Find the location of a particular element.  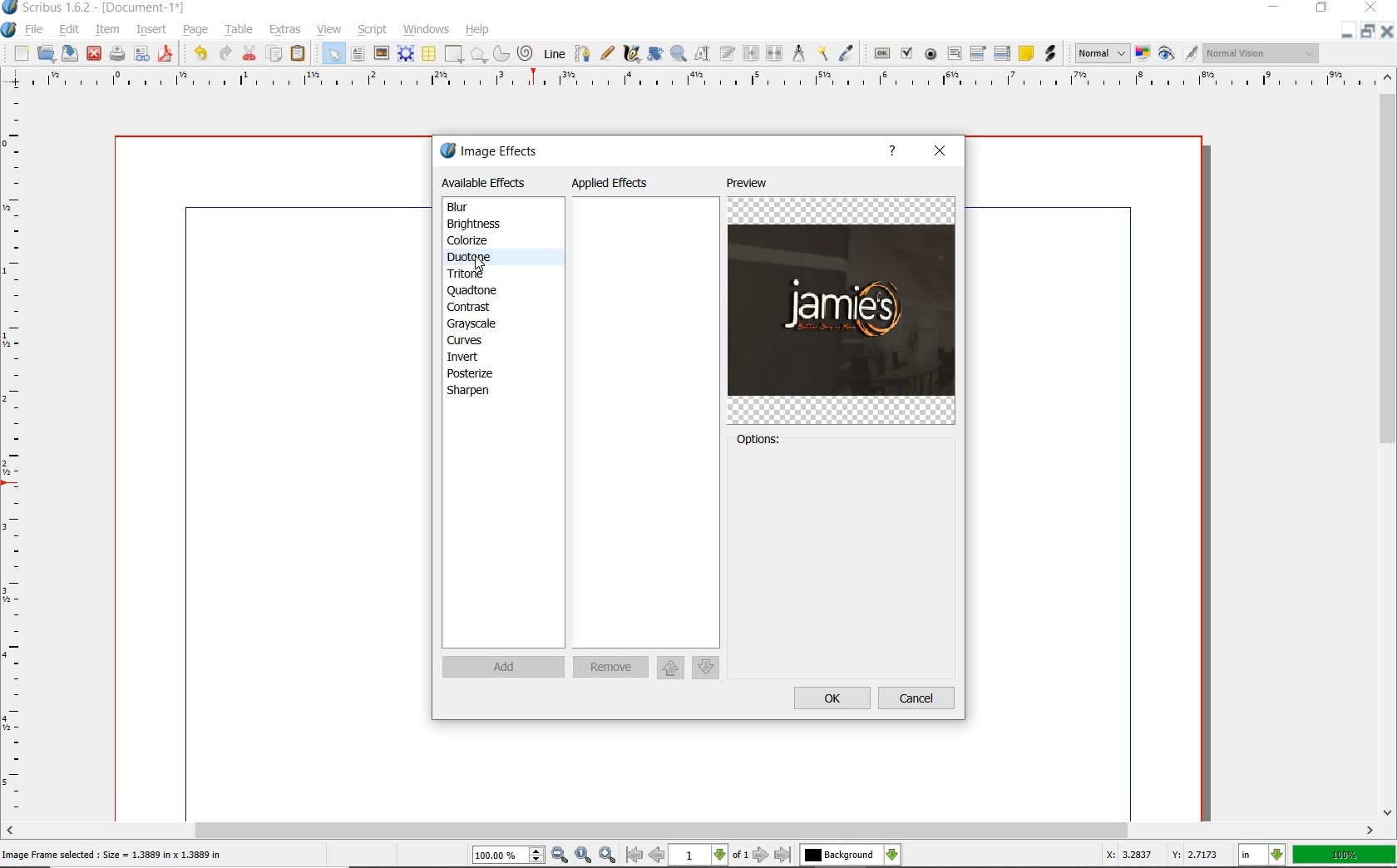

contrast is located at coordinates (476, 307).